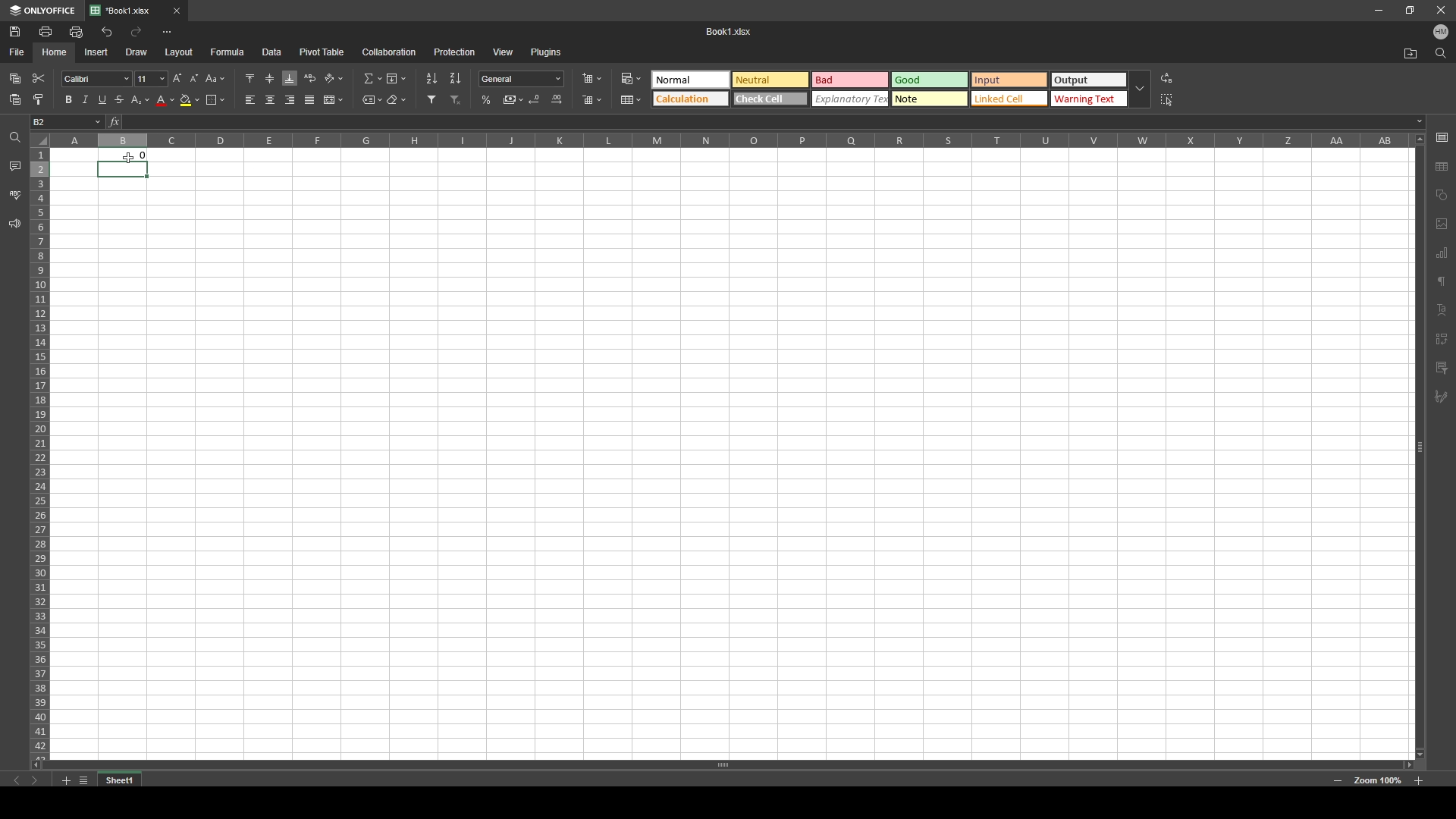 The height and width of the screenshot is (819, 1456). Describe the element at coordinates (1166, 78) in the screenshot. I see `replace` at that location.